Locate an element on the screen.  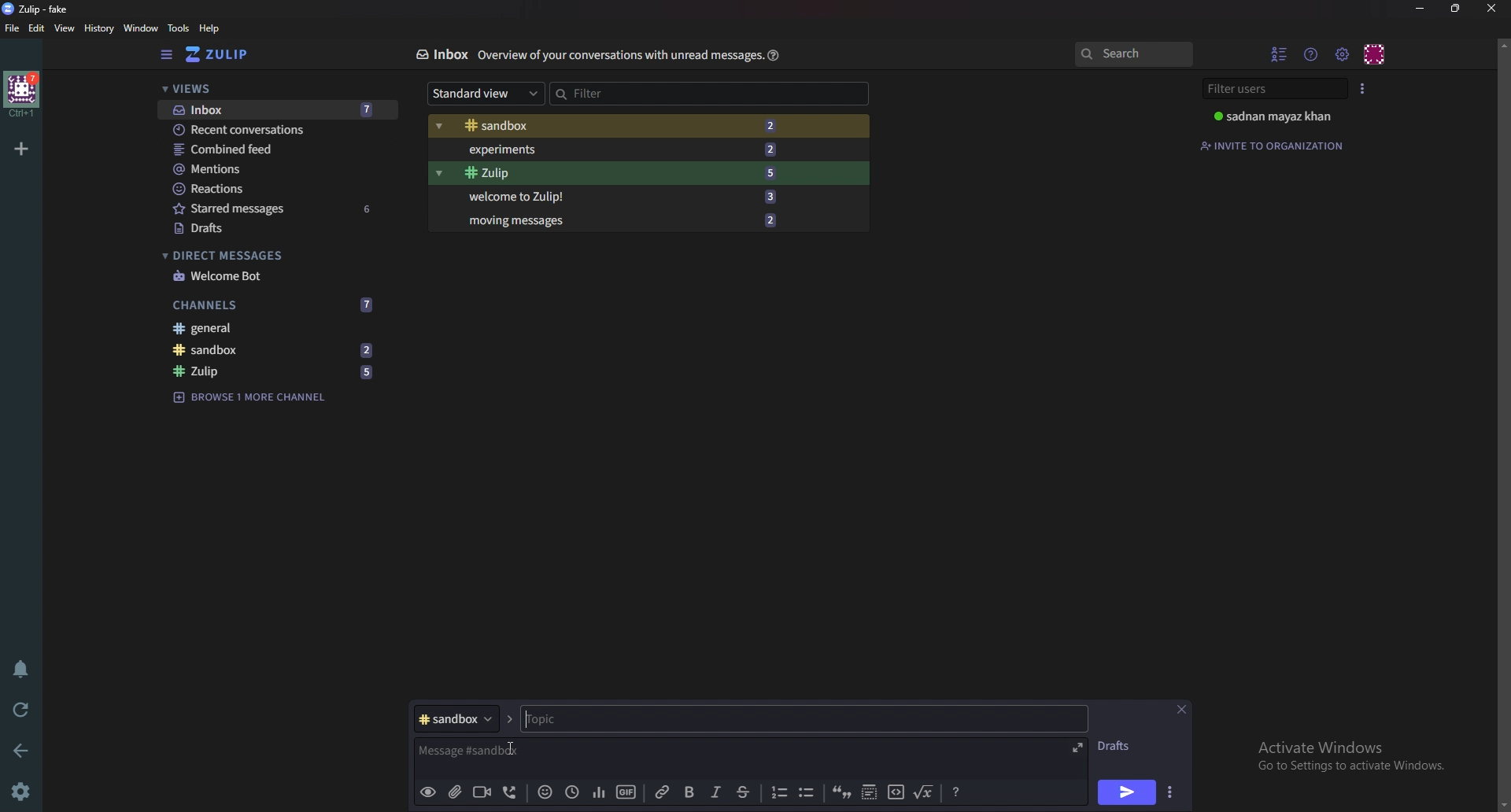
Filter users is located at coordinates (1277, 89).